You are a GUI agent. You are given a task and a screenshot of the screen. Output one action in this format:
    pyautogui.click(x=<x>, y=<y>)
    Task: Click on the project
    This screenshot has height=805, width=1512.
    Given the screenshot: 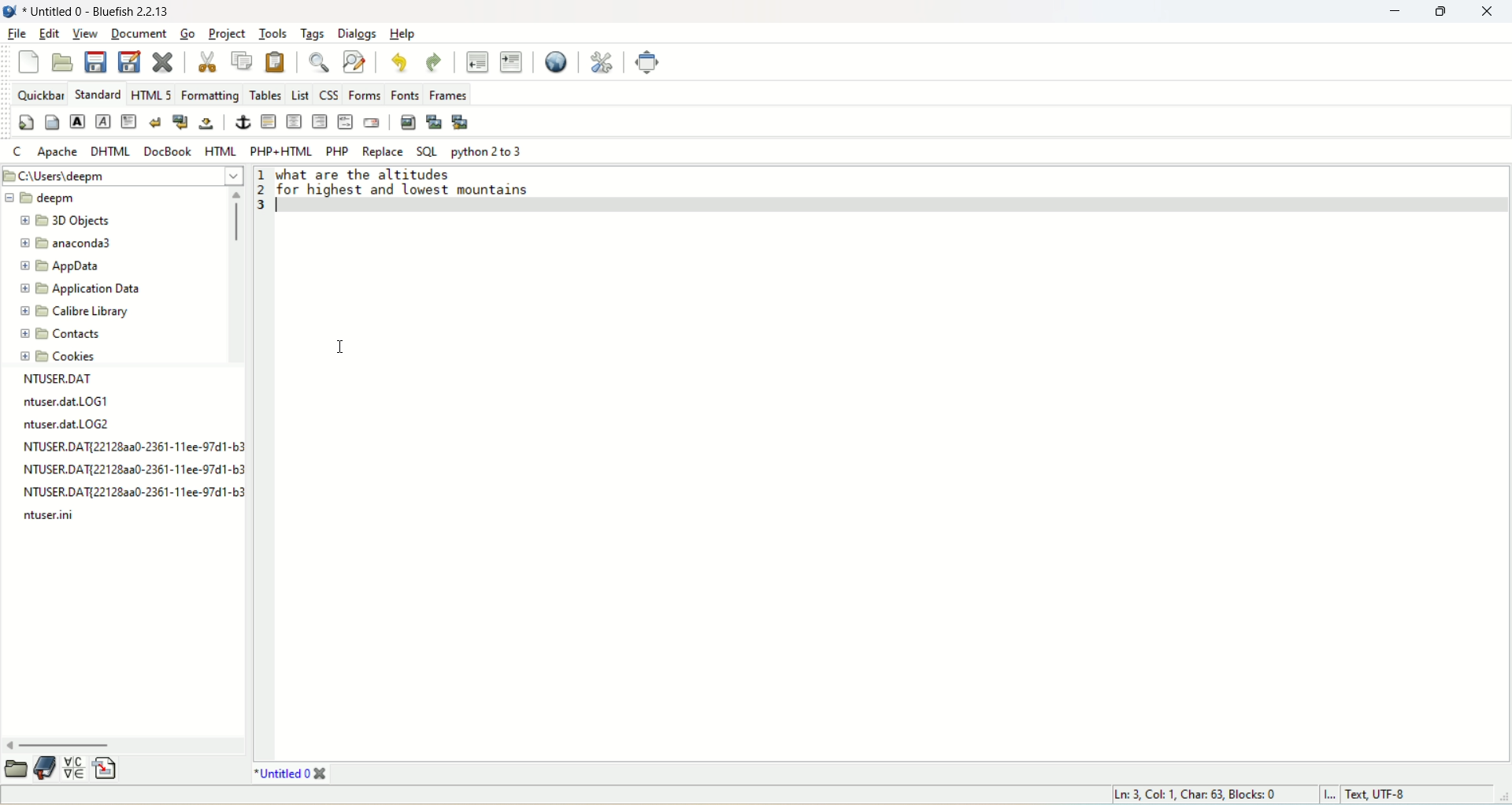 What is the action you would take?
    pyautogui.click(x=226, y=33)
    